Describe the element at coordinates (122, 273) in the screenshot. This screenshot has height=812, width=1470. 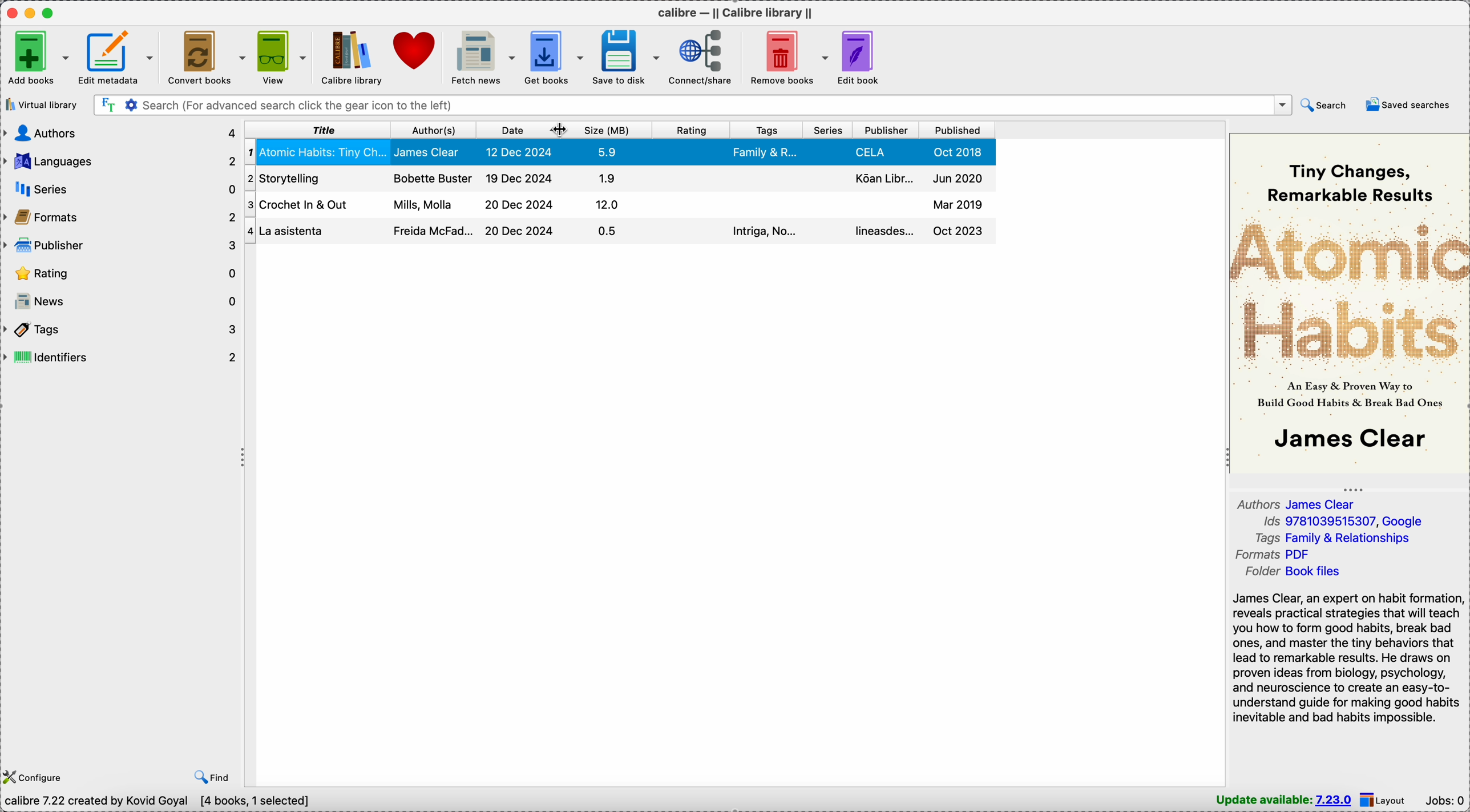
I see `rating` at that location.